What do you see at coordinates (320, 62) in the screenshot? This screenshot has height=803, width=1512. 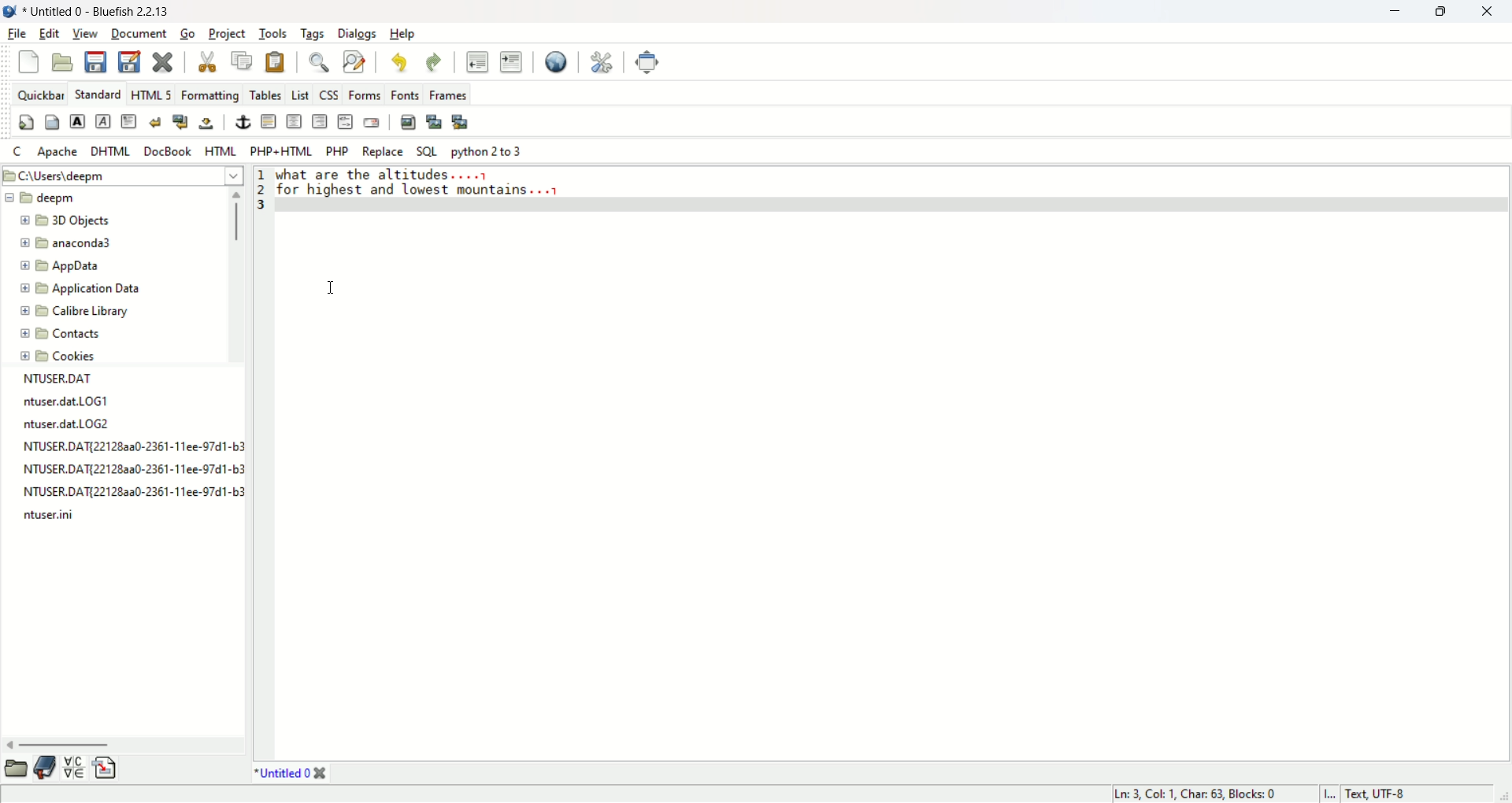 I see `show find bar` at bounding box center [320, 62].